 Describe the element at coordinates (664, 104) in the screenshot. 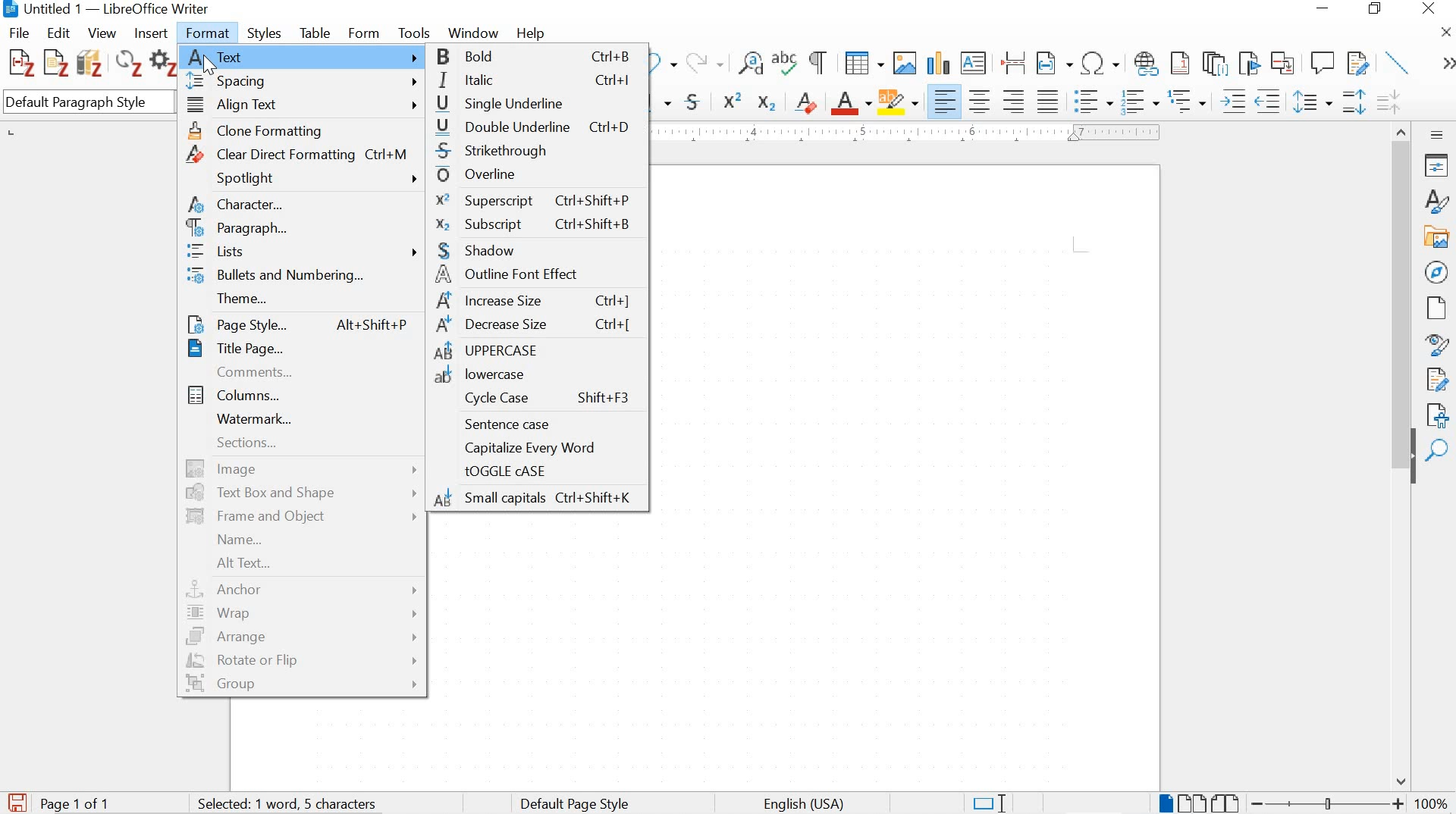

I see `underline` at that location.